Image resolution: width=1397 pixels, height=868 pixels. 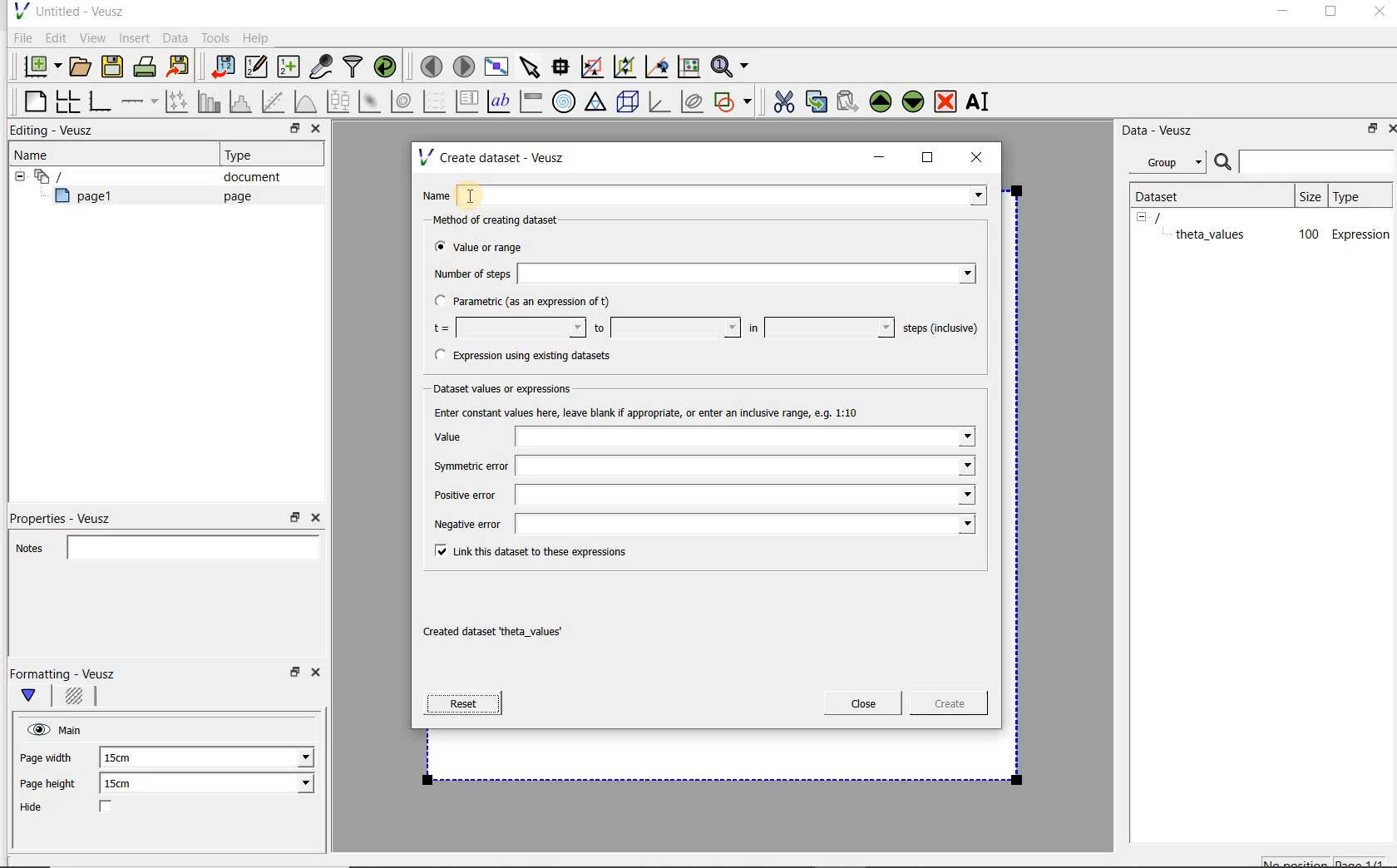 I want to click on Background, so click(x=77, y=698).